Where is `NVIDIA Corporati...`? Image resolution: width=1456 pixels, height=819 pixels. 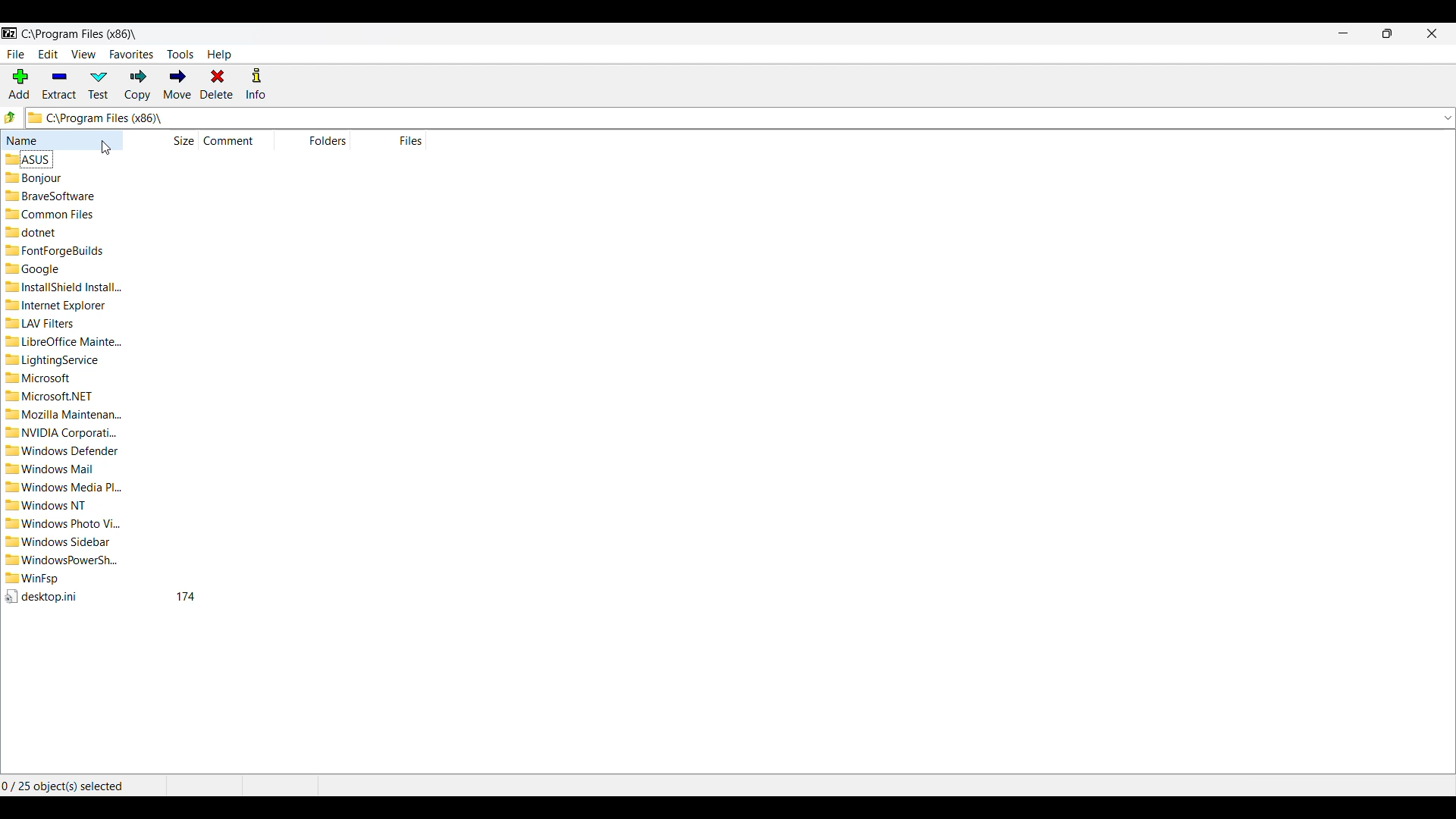 NVIDIA Corporati... is located at coordinates (62, 434).